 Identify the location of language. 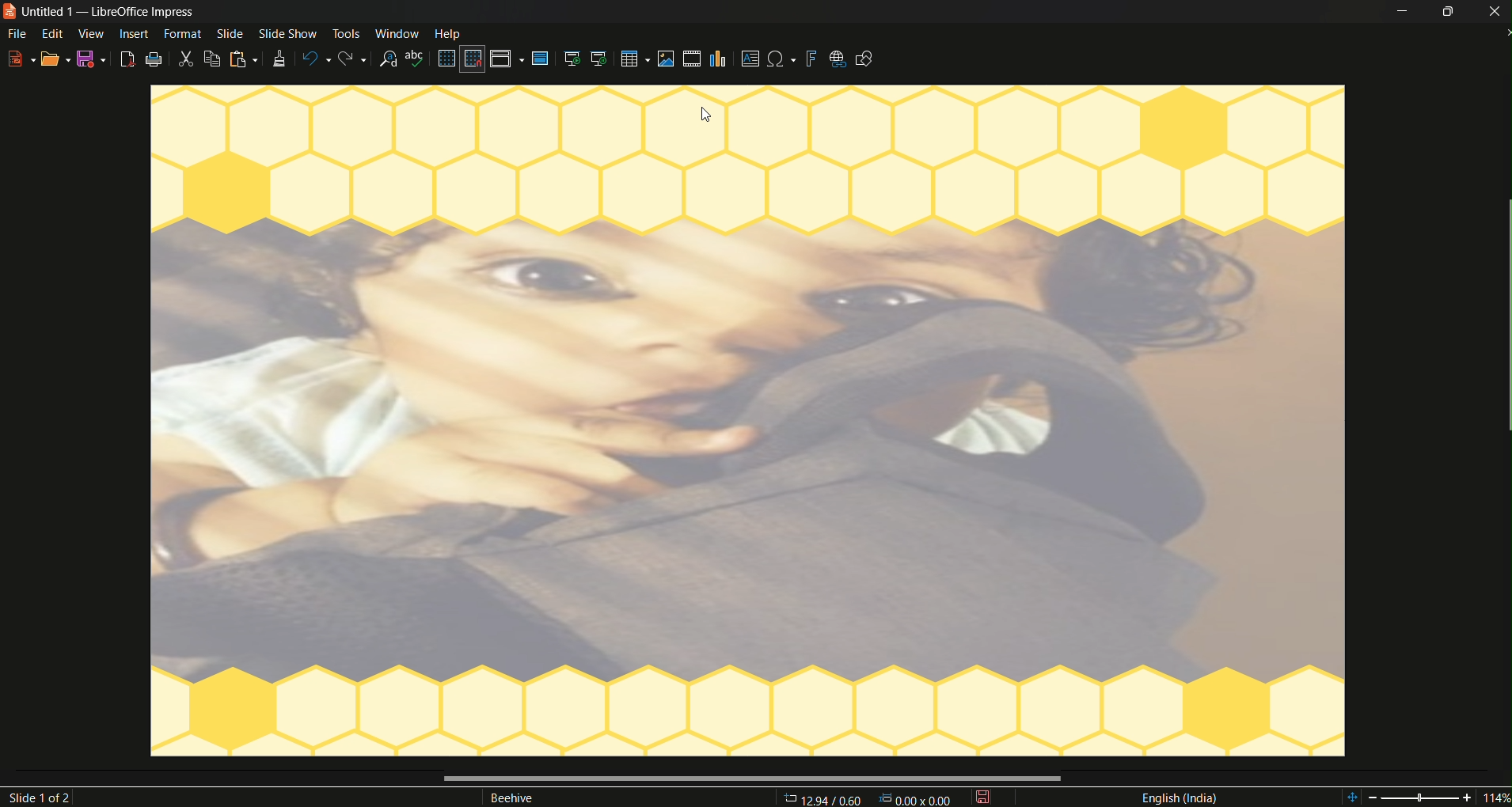
(1179, 798).